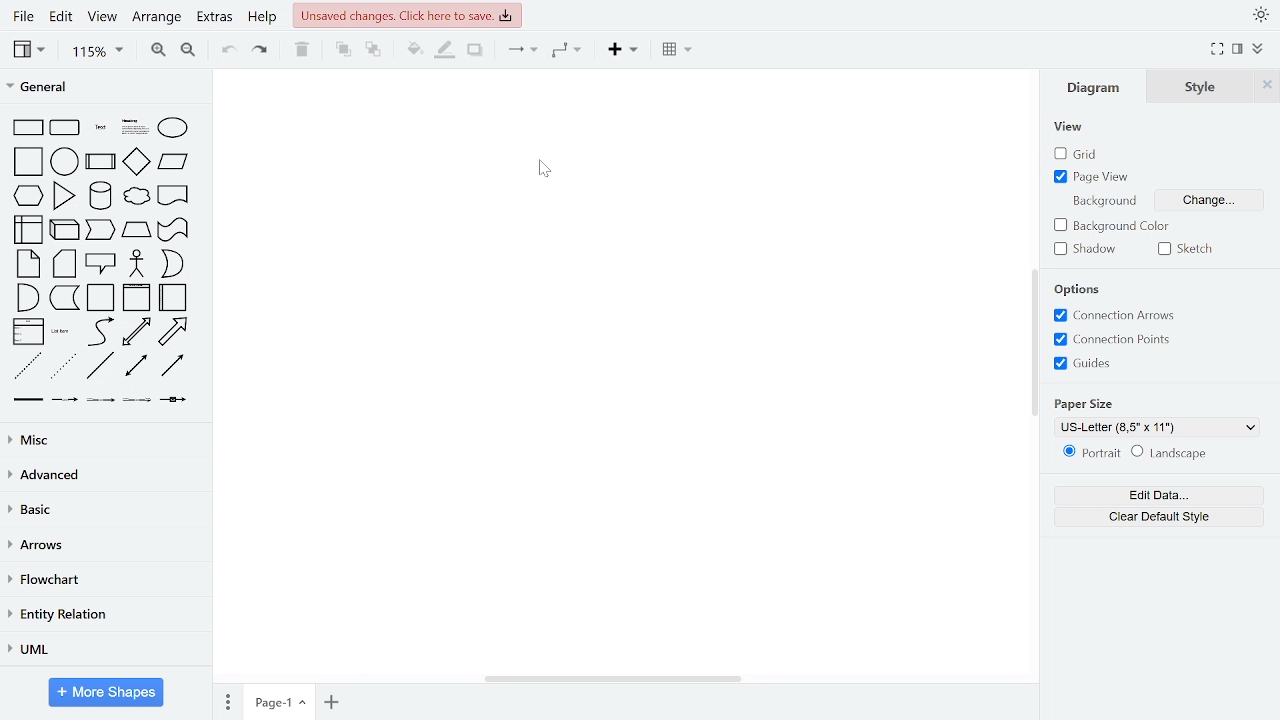  What do you see at coordinates (1158, 495) in the screenshot?
I see `edit data` at bounding box center [1158, 495].